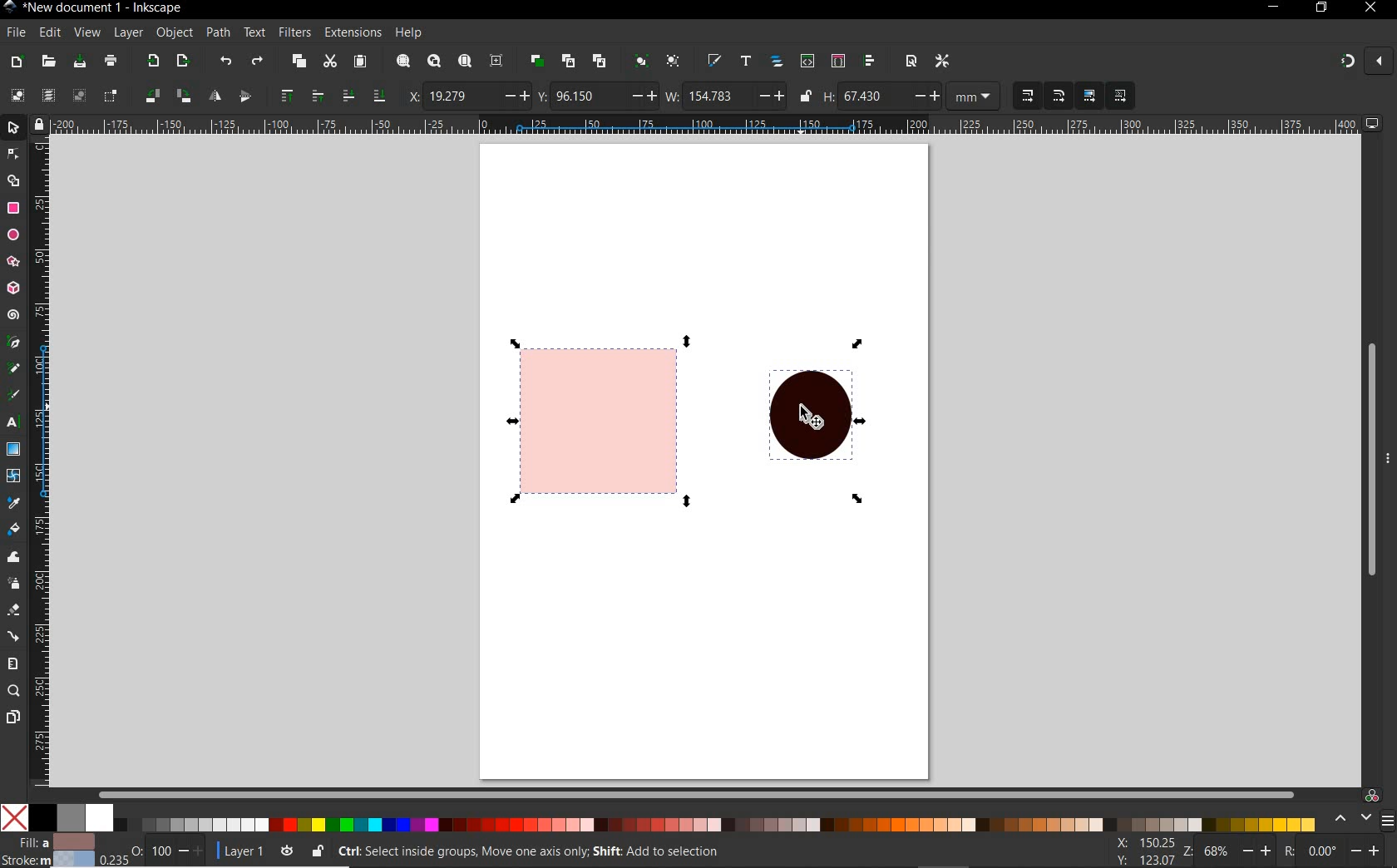  I want to click on spiral tool, so click(13, 314).